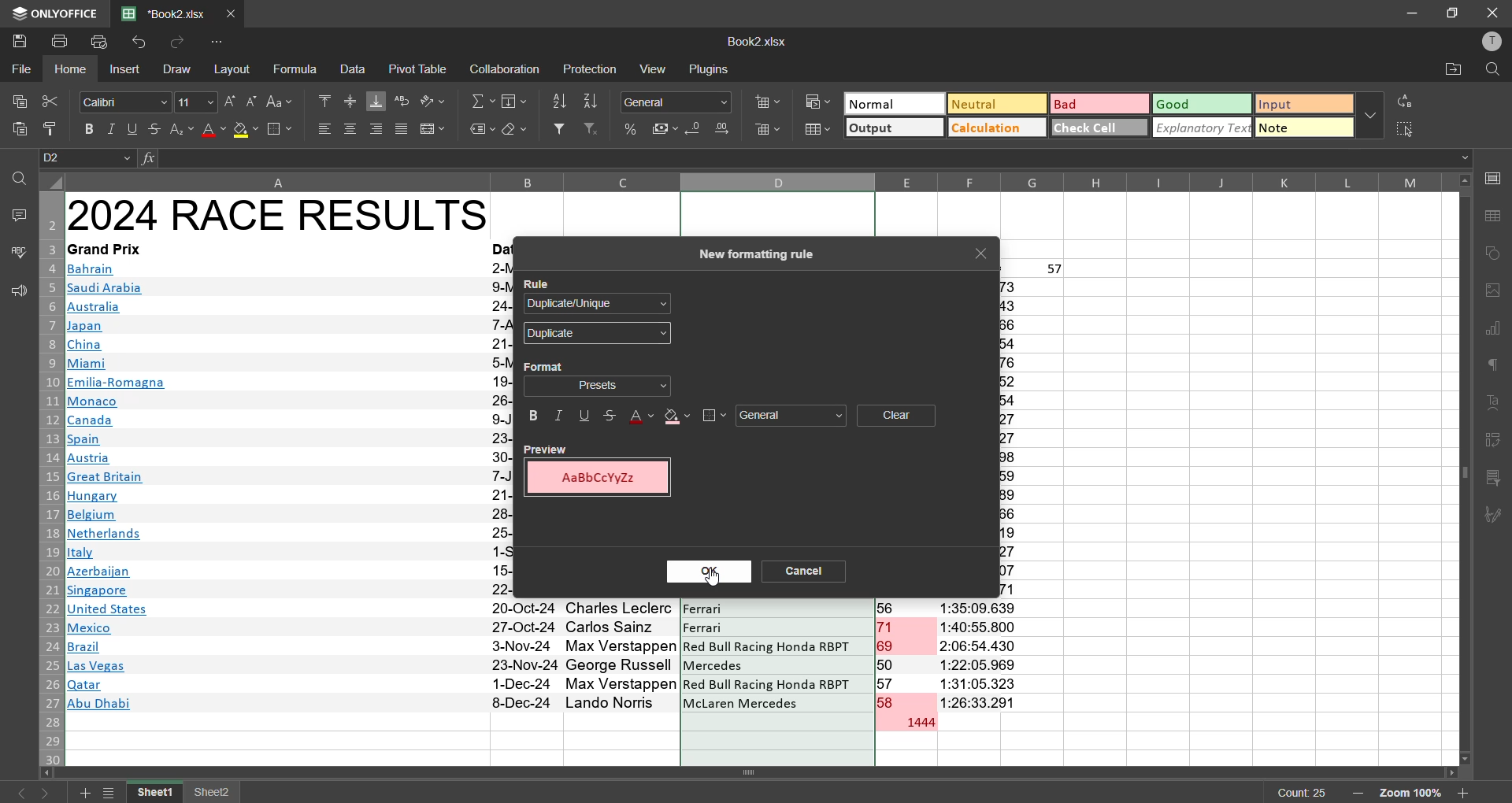  I want to click on named ranges, so click(482, 130).